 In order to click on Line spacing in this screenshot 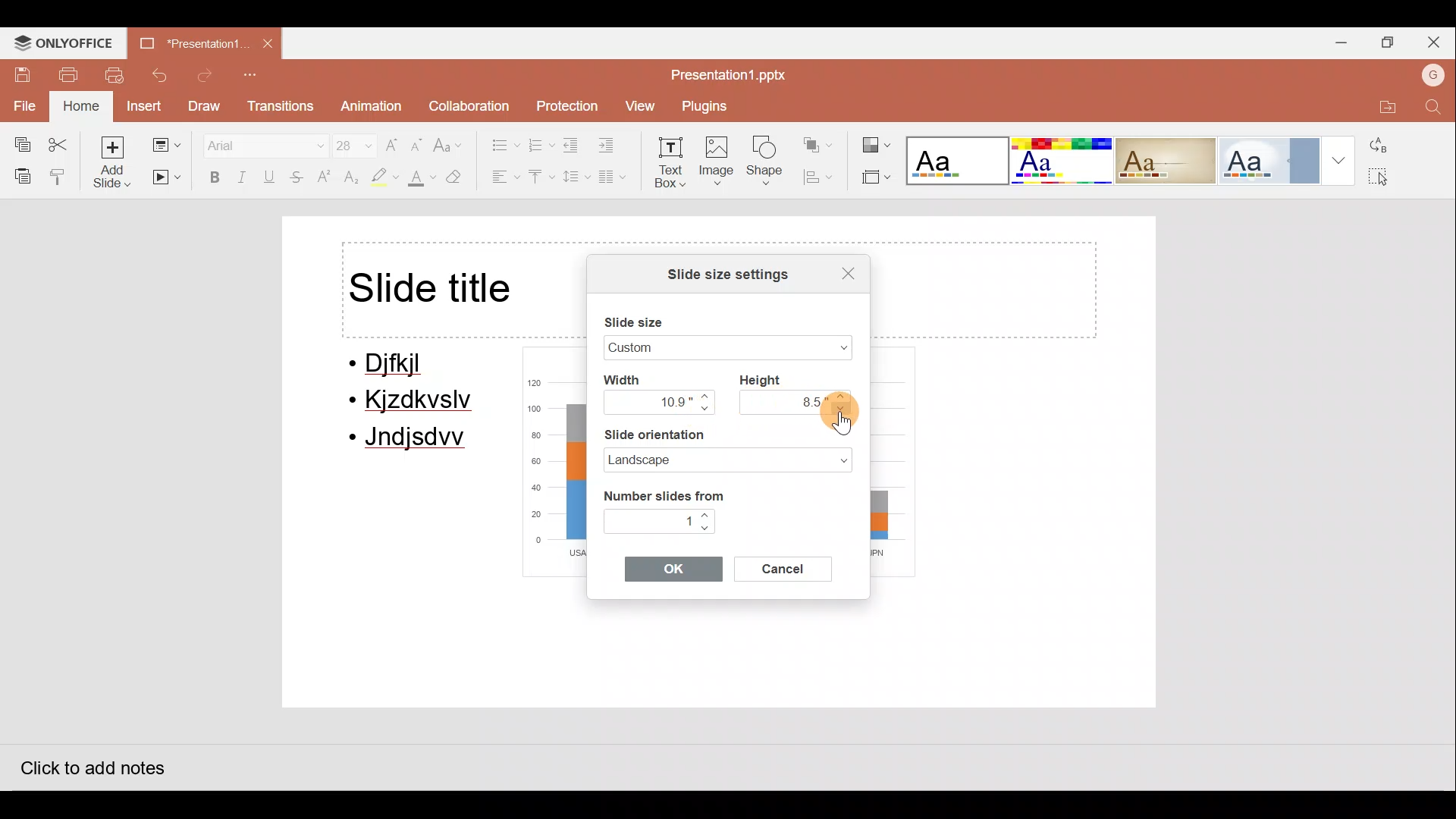, I will do `click(574, 177)`.